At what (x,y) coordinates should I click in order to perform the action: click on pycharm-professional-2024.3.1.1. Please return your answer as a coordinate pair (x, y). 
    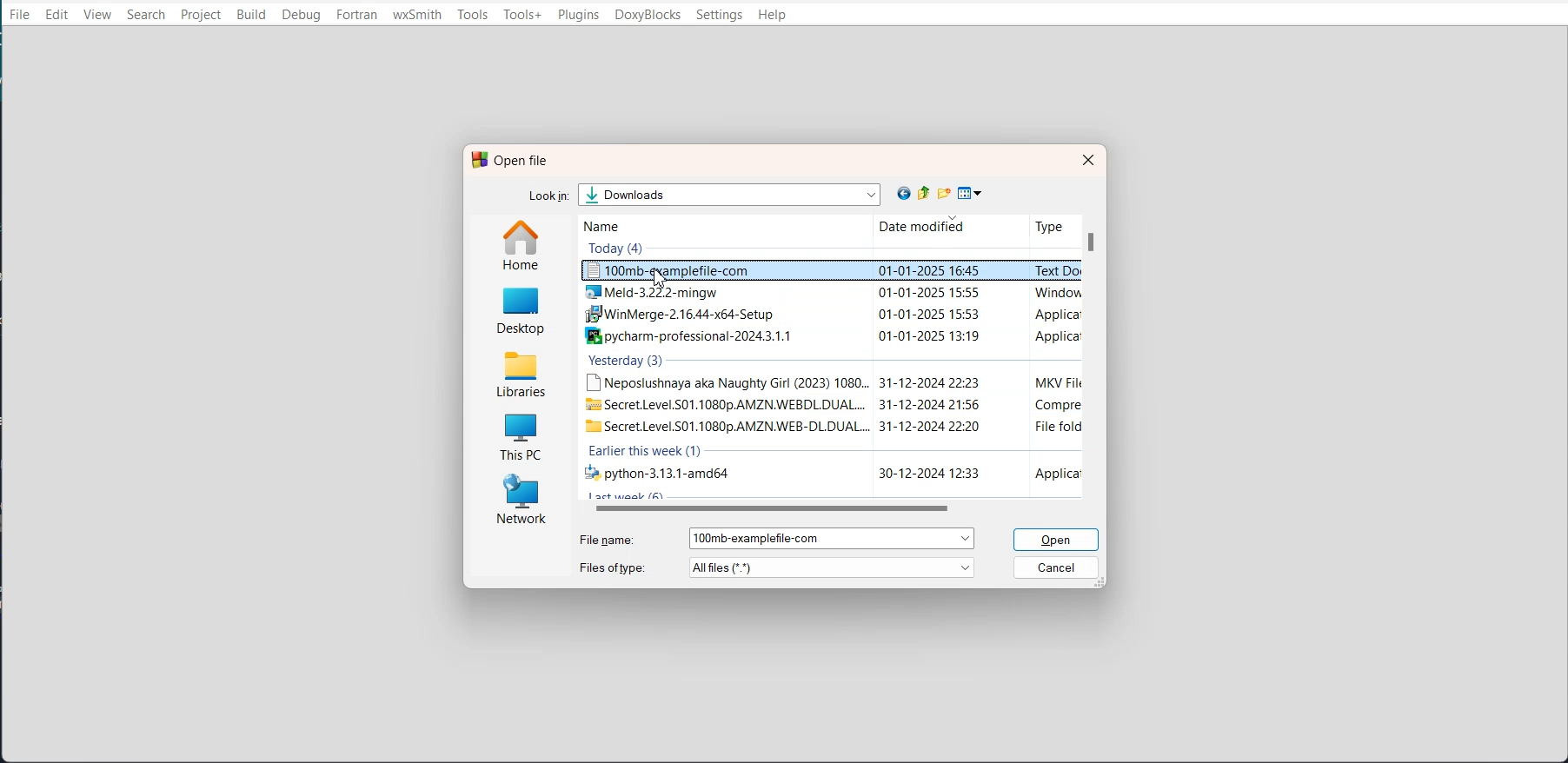
    Looking at the image, I should click on (827, 336).